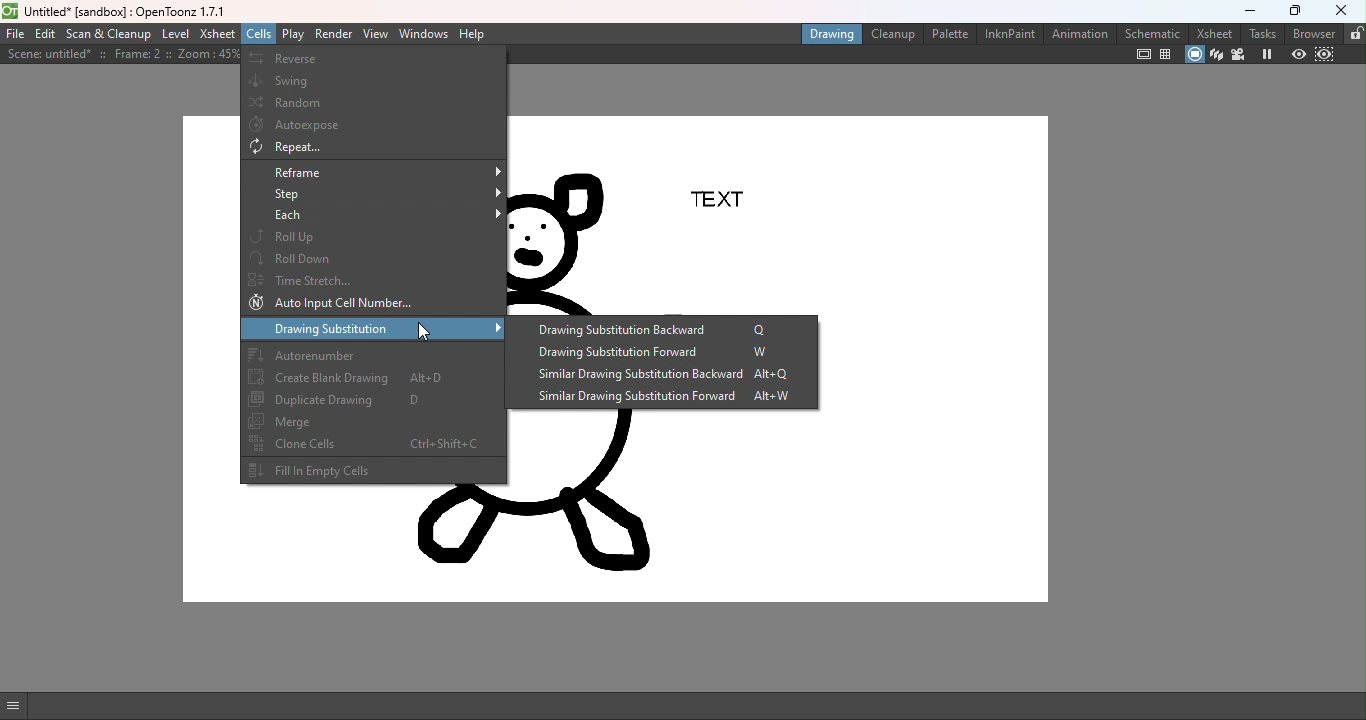 This screenshot has width=1366, height=720. What do you see at coordinates (15, 35) in the screenshot?
I see `File` at bounding box center [15, 35].